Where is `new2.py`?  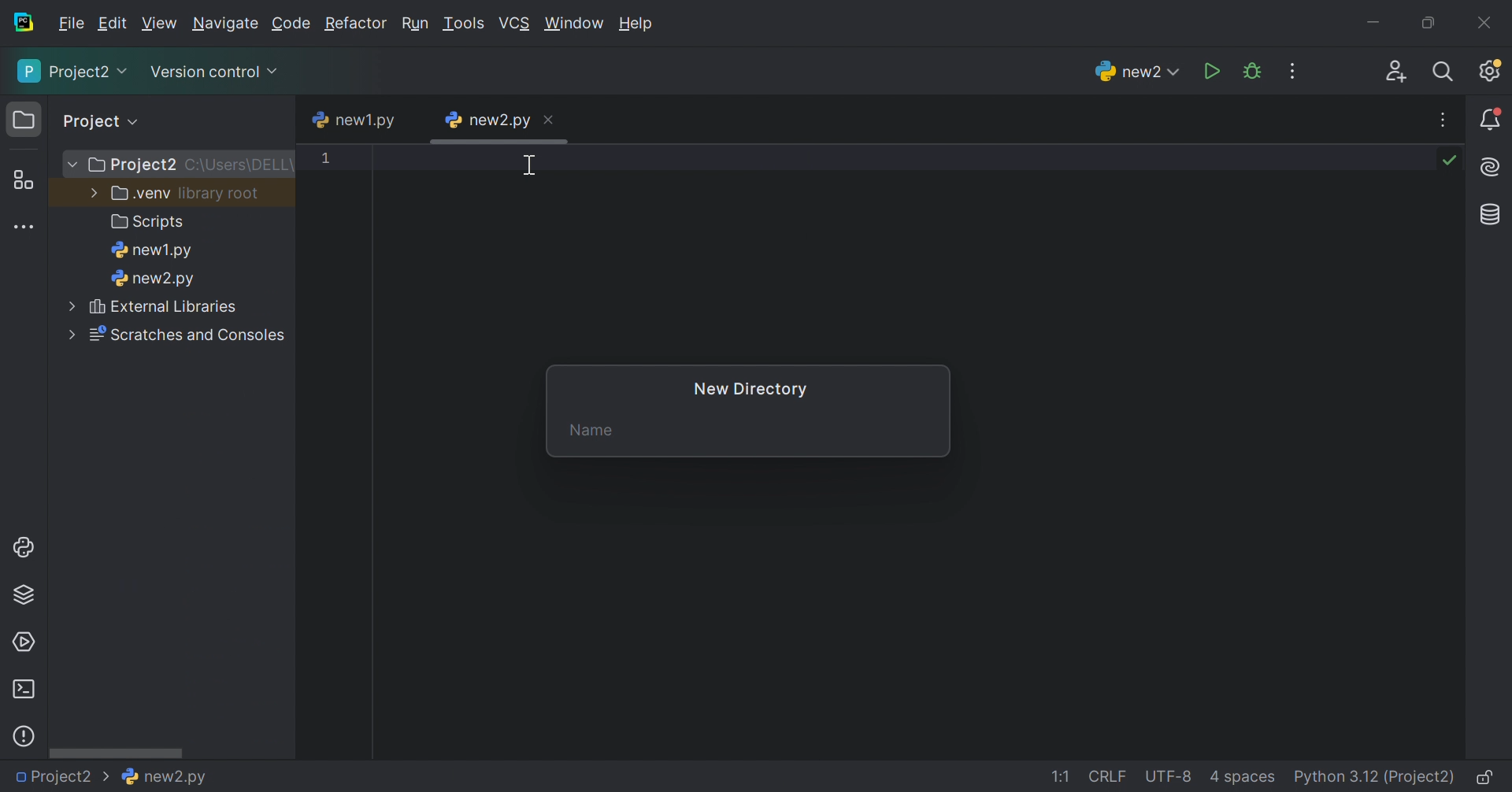
new2.py is located at coordinates (164, 775).